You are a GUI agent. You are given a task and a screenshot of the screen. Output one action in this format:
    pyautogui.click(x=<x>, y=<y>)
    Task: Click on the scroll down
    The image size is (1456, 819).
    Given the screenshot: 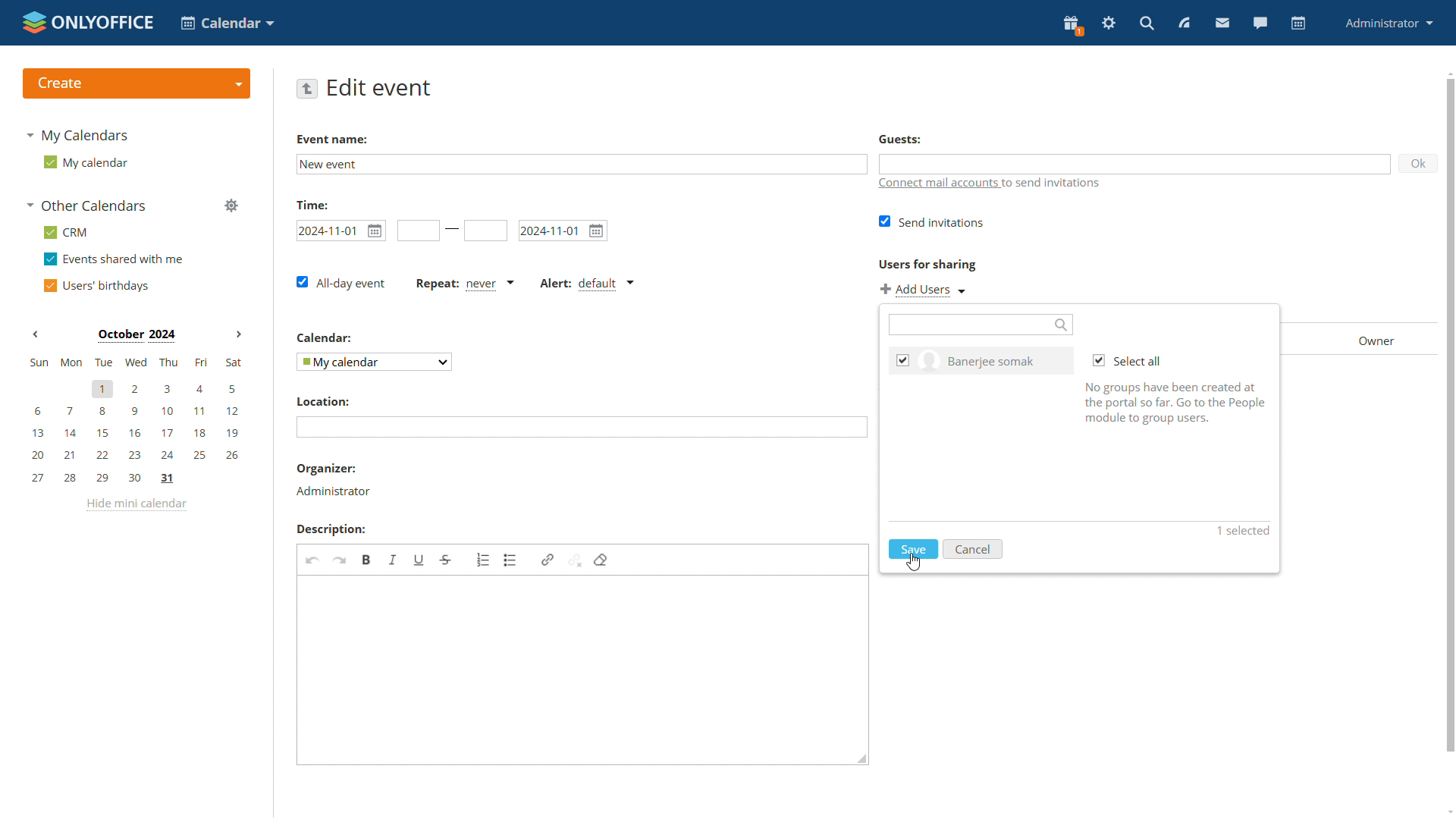 What is the action you would take?
    pyautogui.click(x=1449, y=809)
    